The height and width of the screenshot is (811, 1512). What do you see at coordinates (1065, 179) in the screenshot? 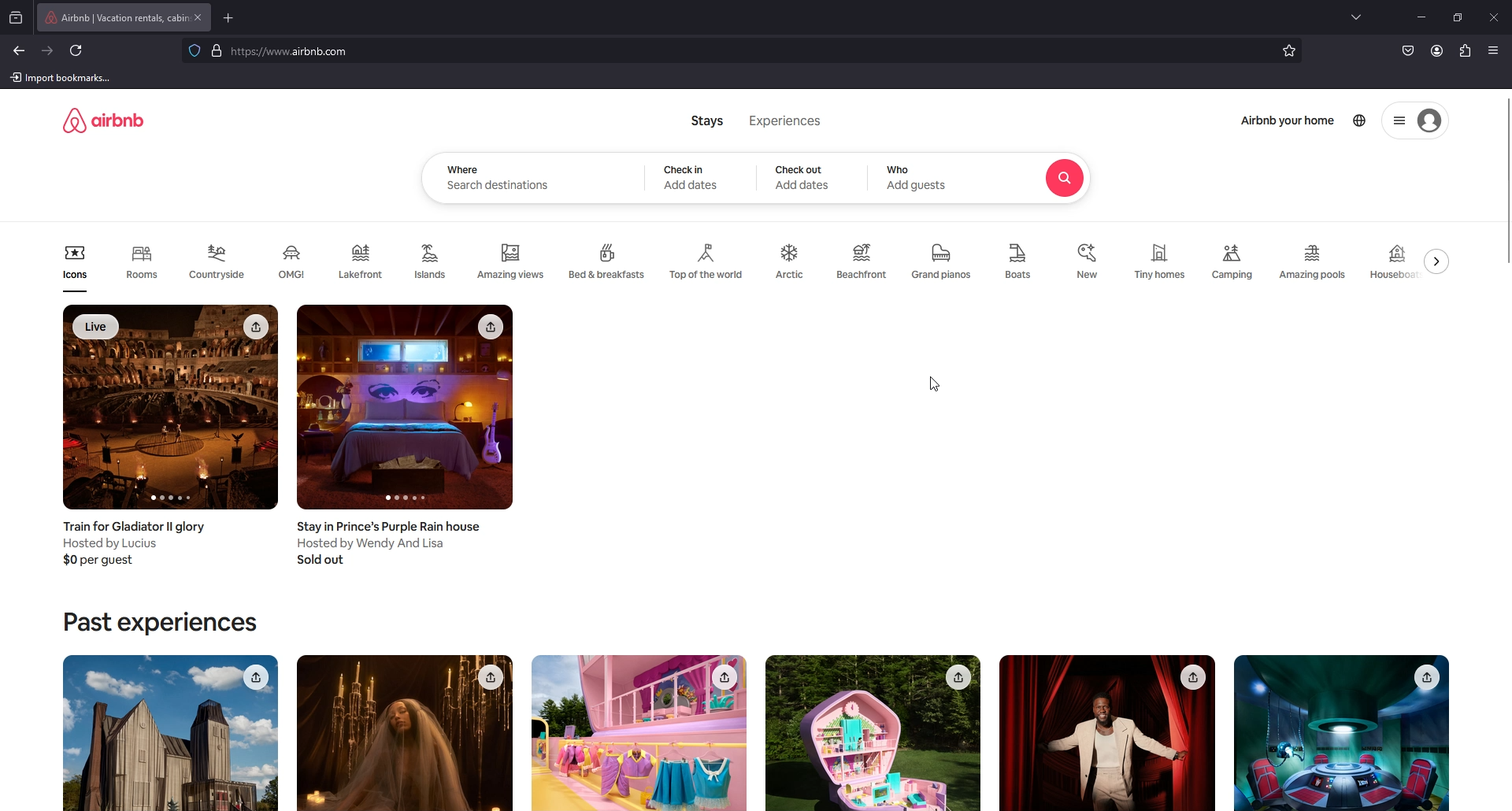
I see `Search icon` at bounding box center [1065, 179].